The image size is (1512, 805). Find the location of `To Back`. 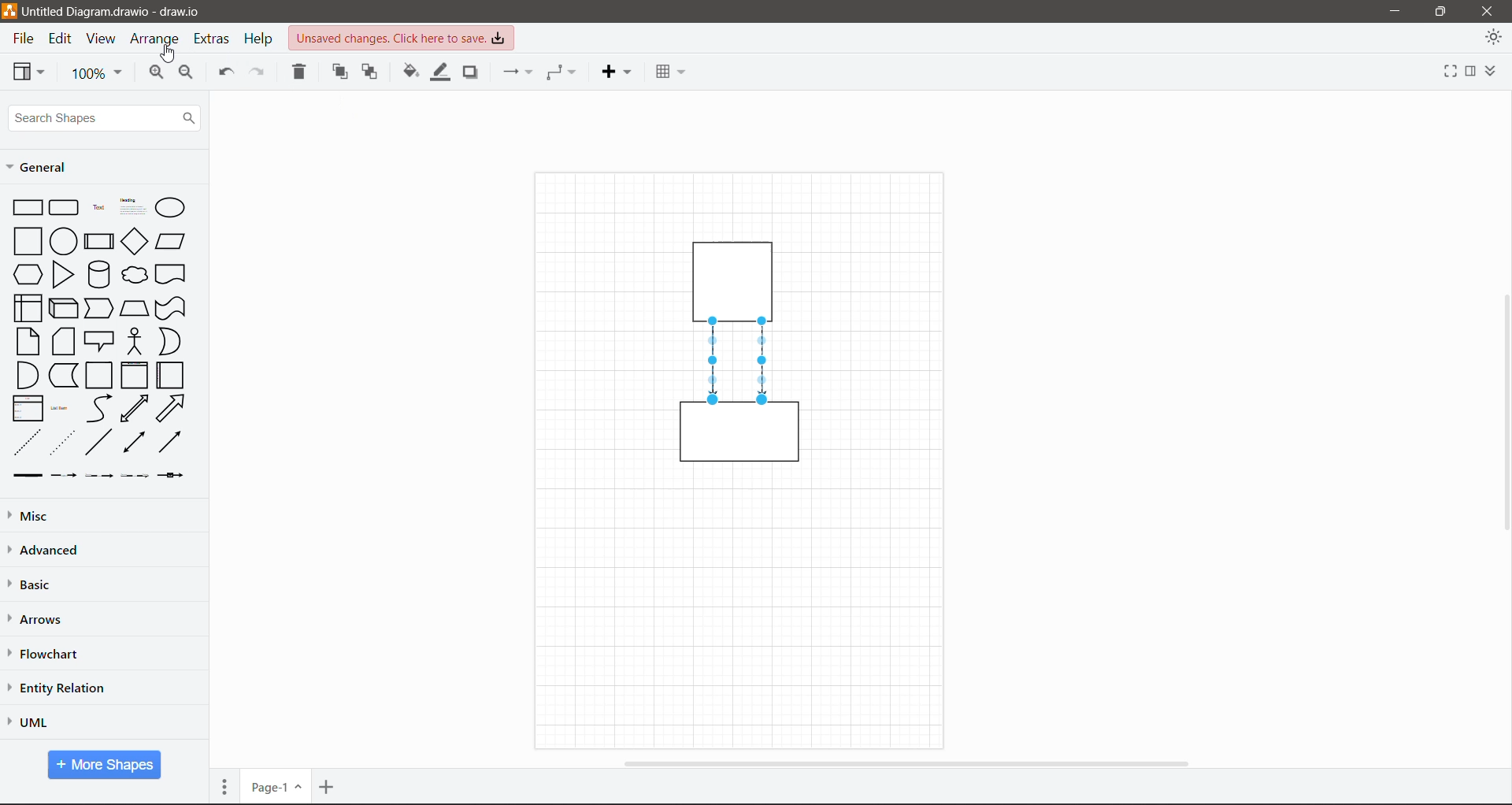

To Back is located at coordinates (371, 73).